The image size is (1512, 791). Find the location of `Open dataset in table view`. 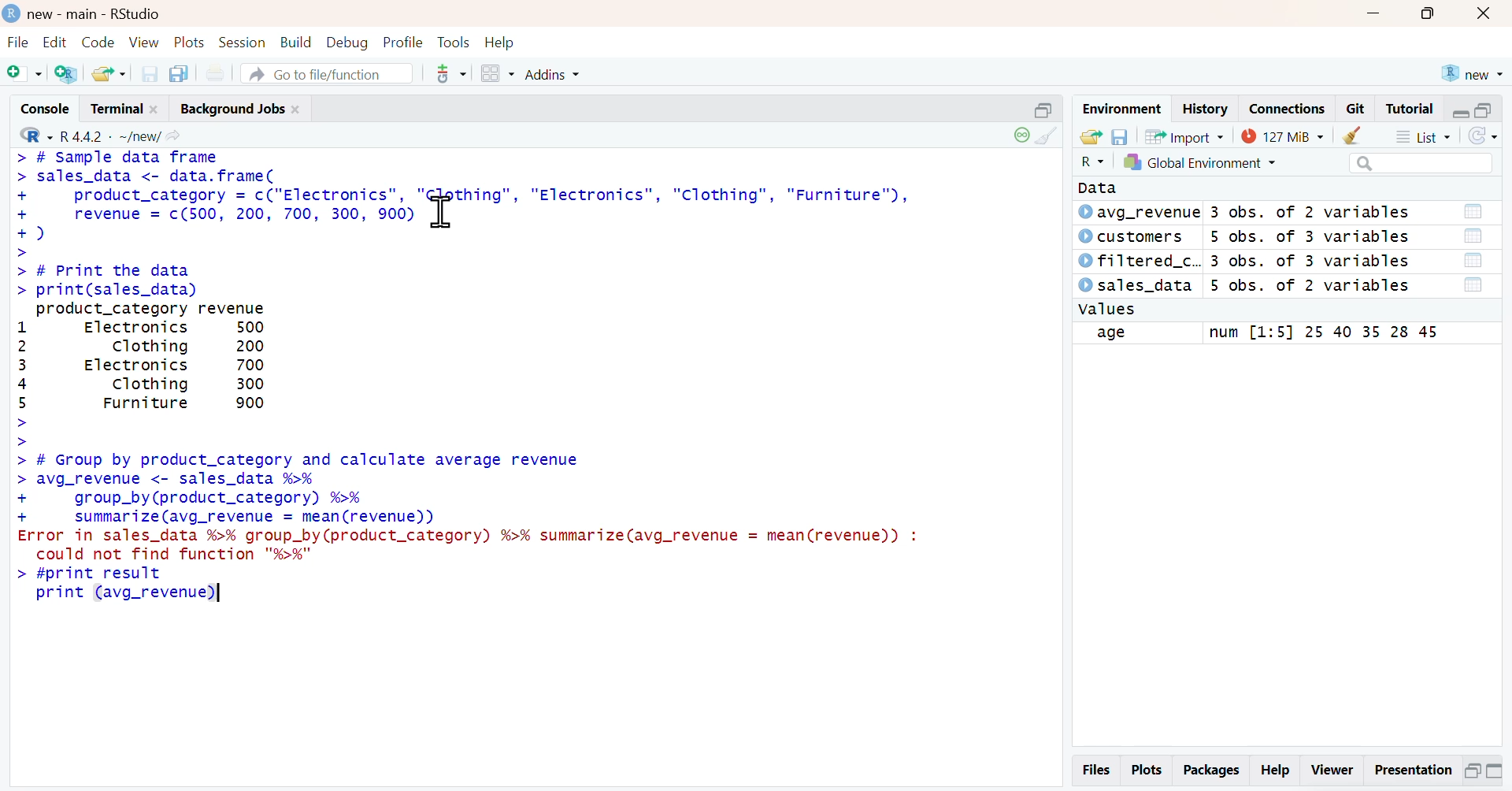

Open dataset in table view is located at coordinates (1473, 249).